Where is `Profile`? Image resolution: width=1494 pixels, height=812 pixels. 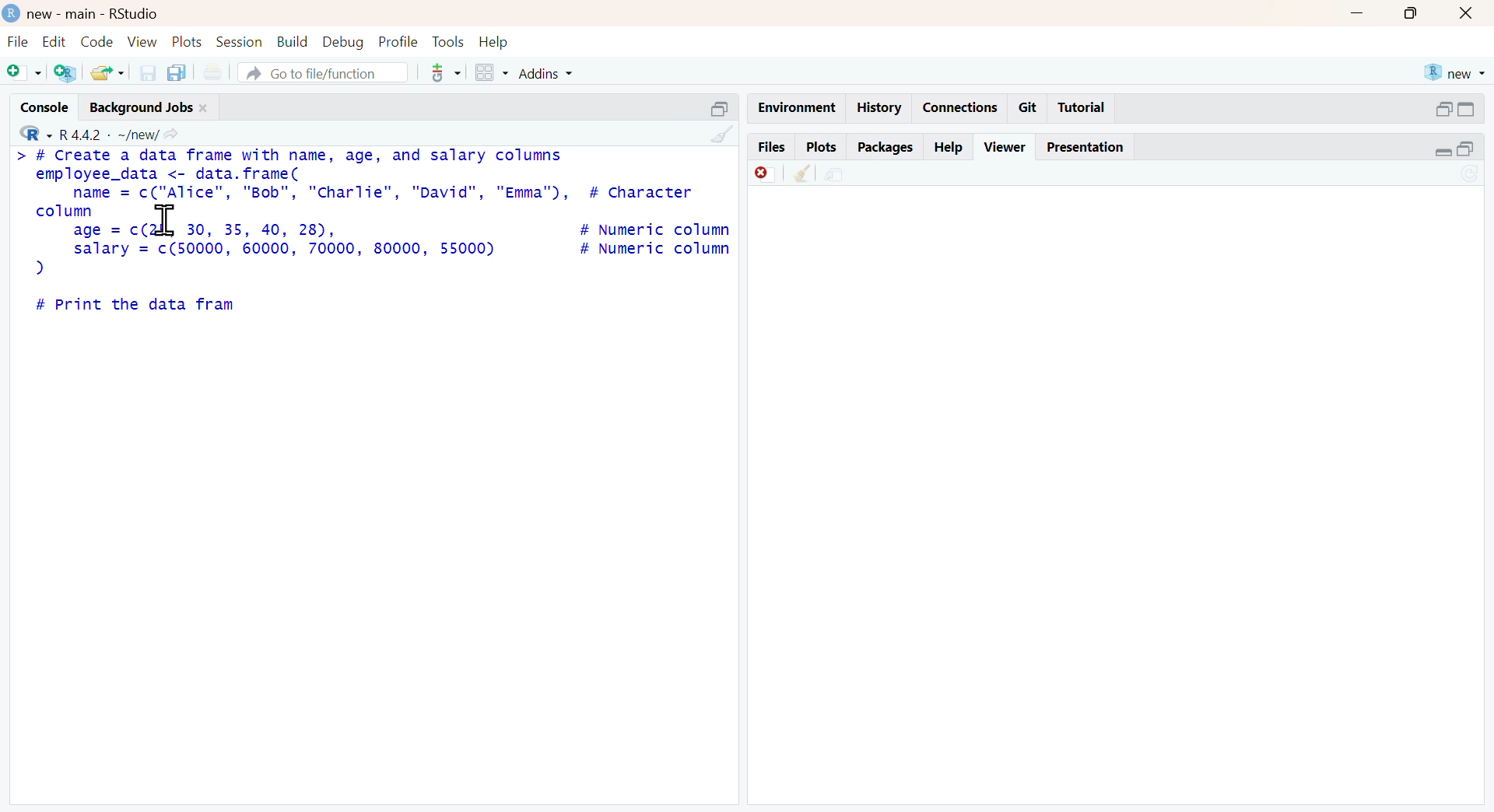
Profile is located at coordinates (398, 42).